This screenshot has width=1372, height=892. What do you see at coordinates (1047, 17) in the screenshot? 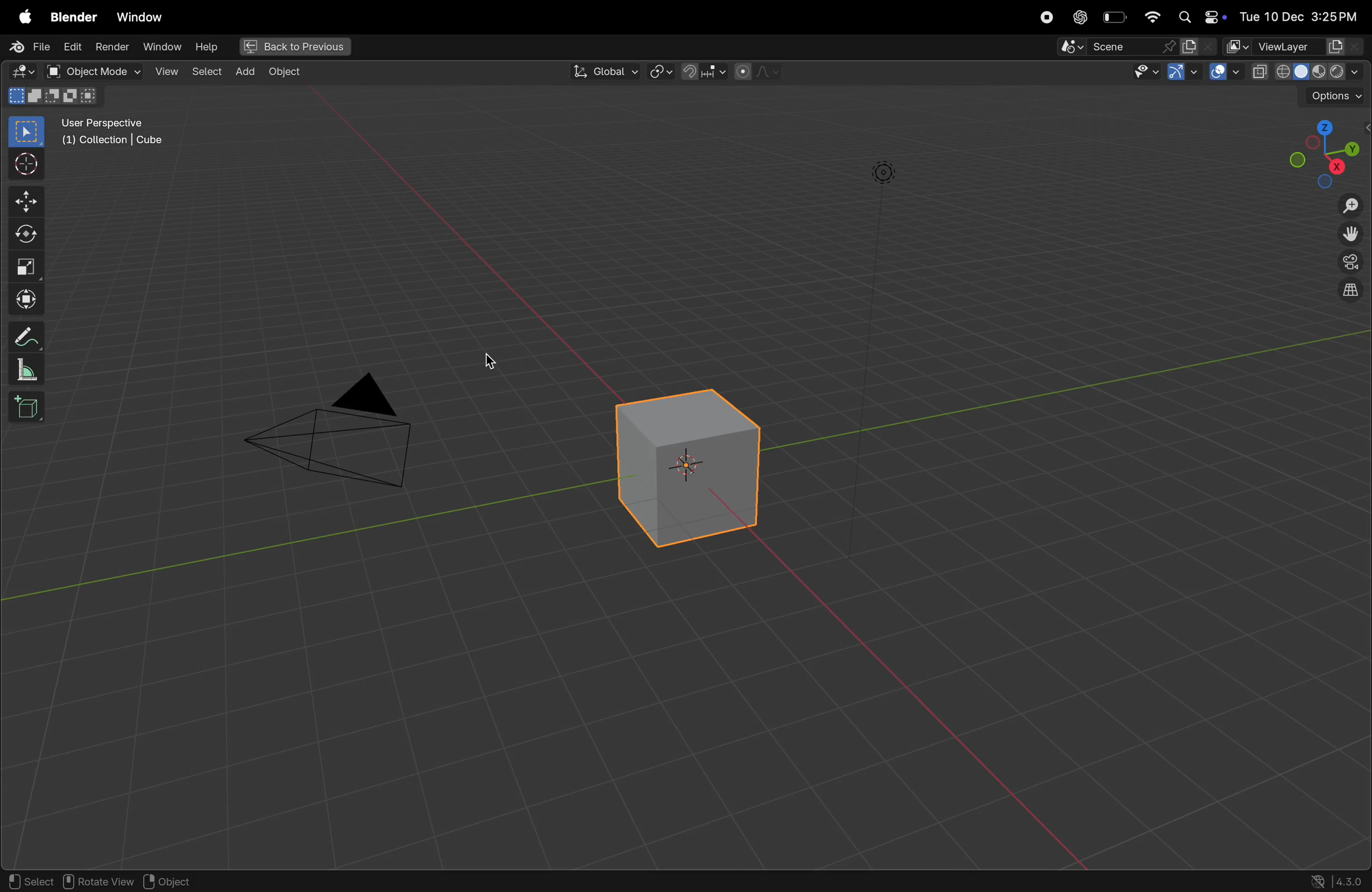
I see `record` at bounding box center [1047, 17].